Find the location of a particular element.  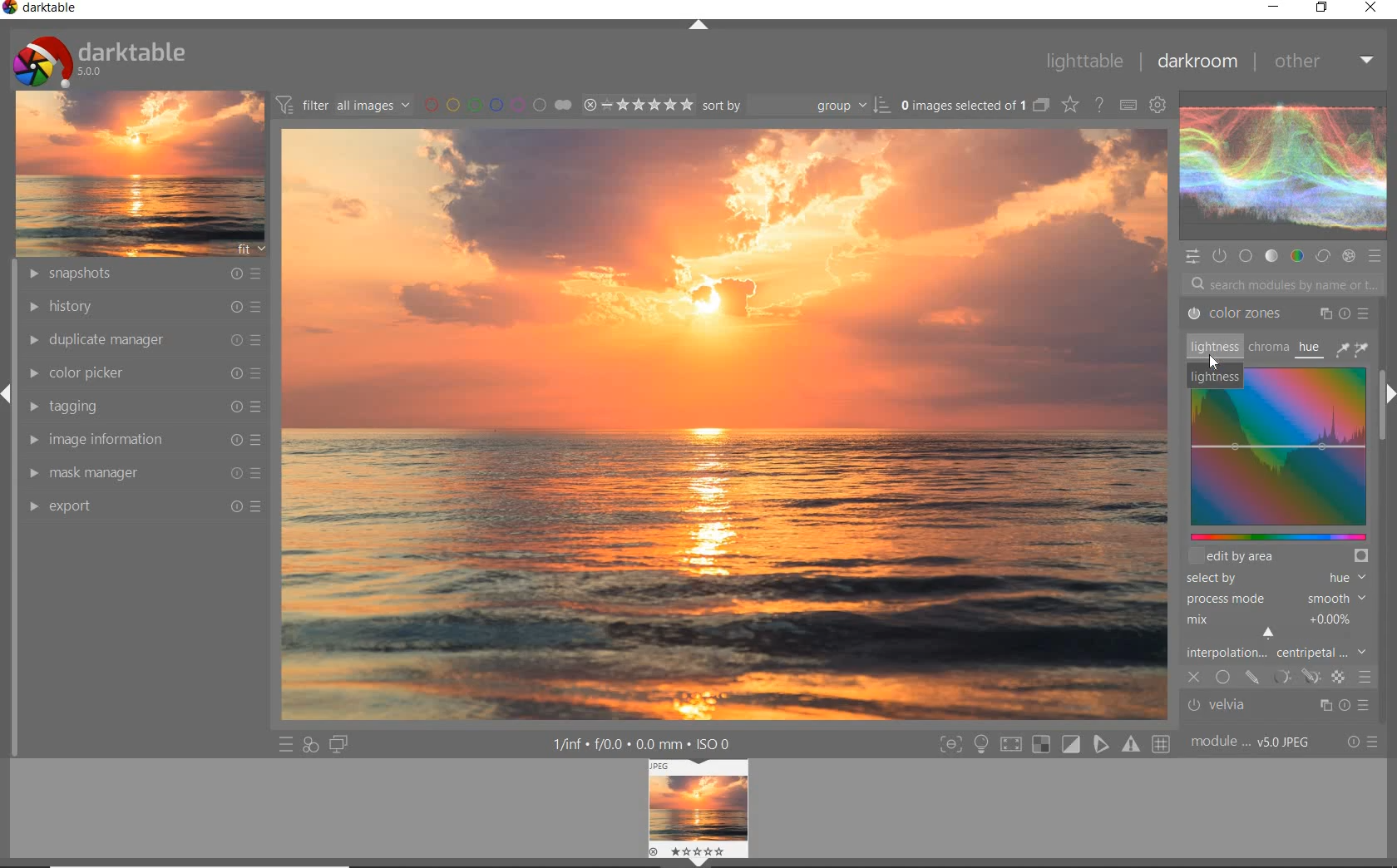

cursor is located at coordinates (1214, 363).